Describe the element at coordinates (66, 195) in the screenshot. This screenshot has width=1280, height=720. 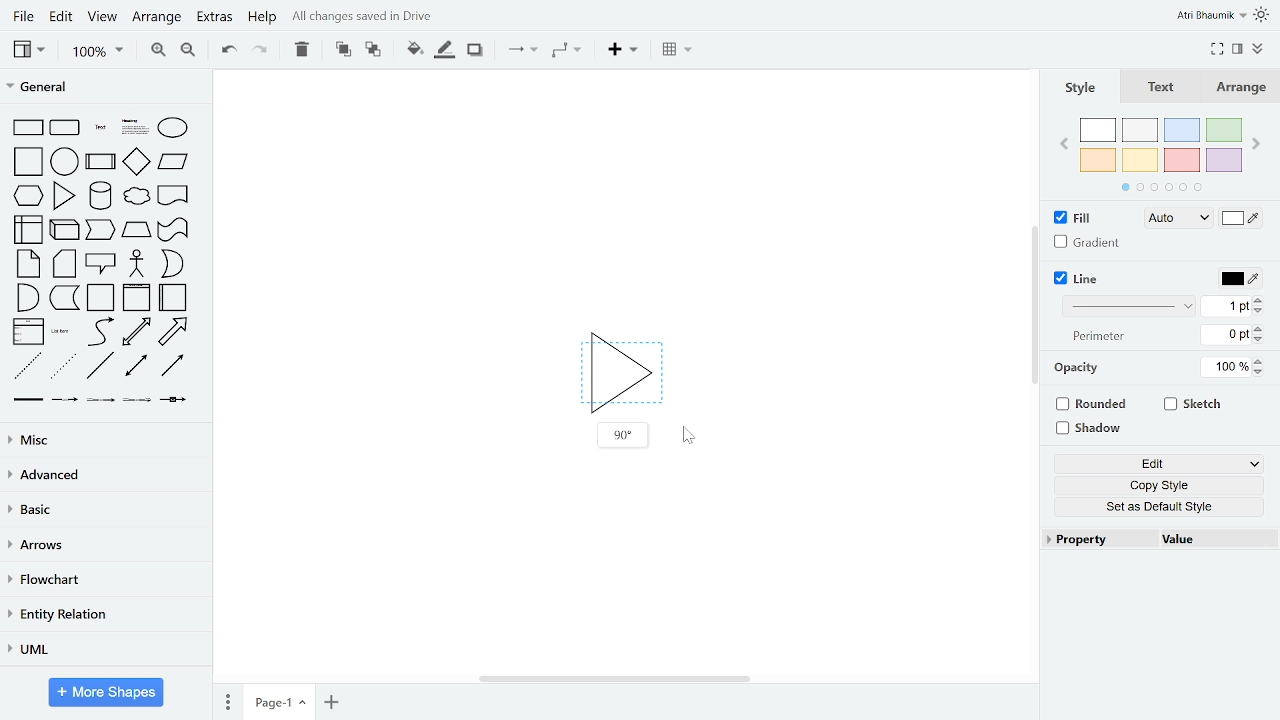
I see `triangle` at that location.